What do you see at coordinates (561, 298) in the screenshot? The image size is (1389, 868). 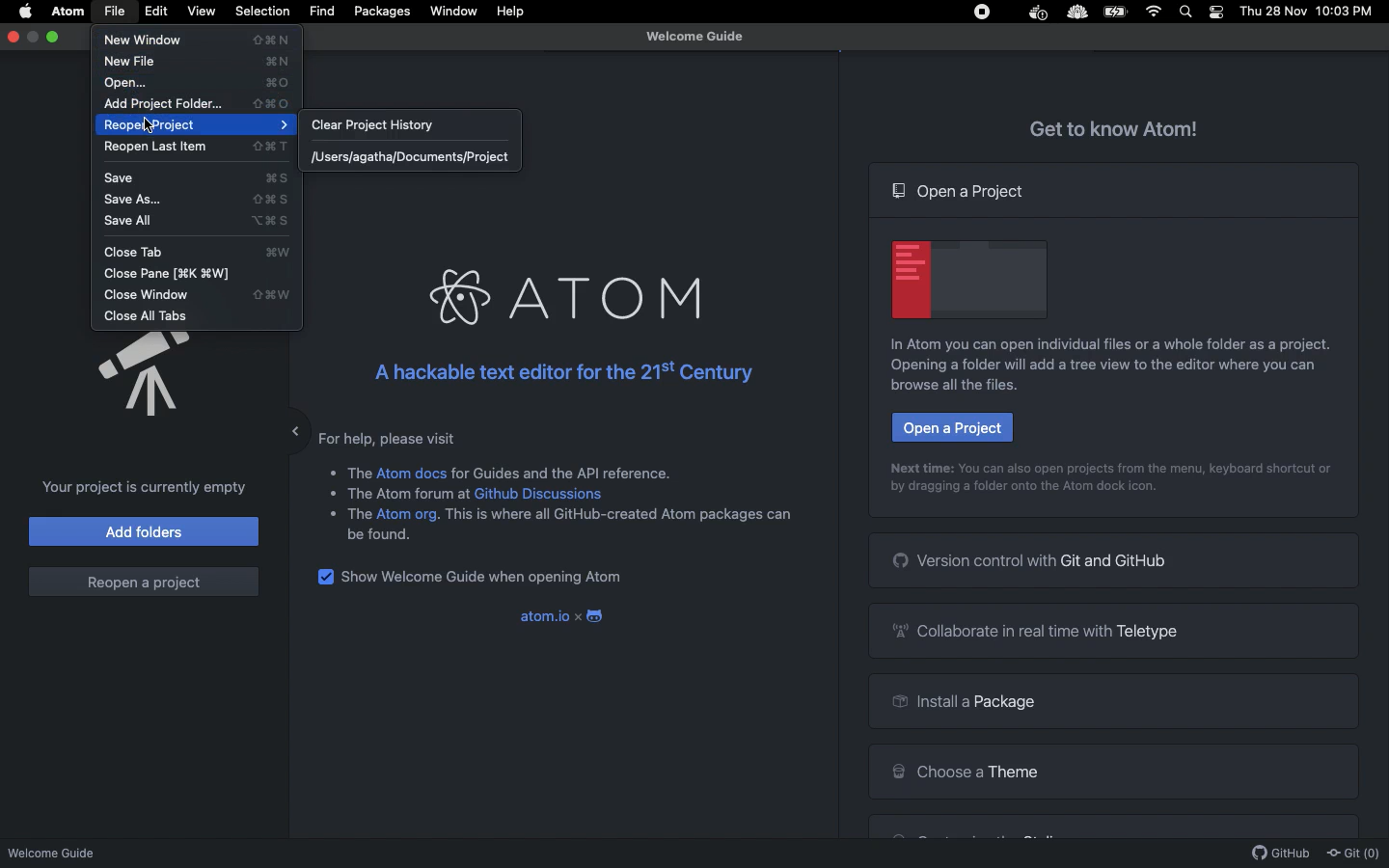 I see `Atom` at bounding box center [561, 298].